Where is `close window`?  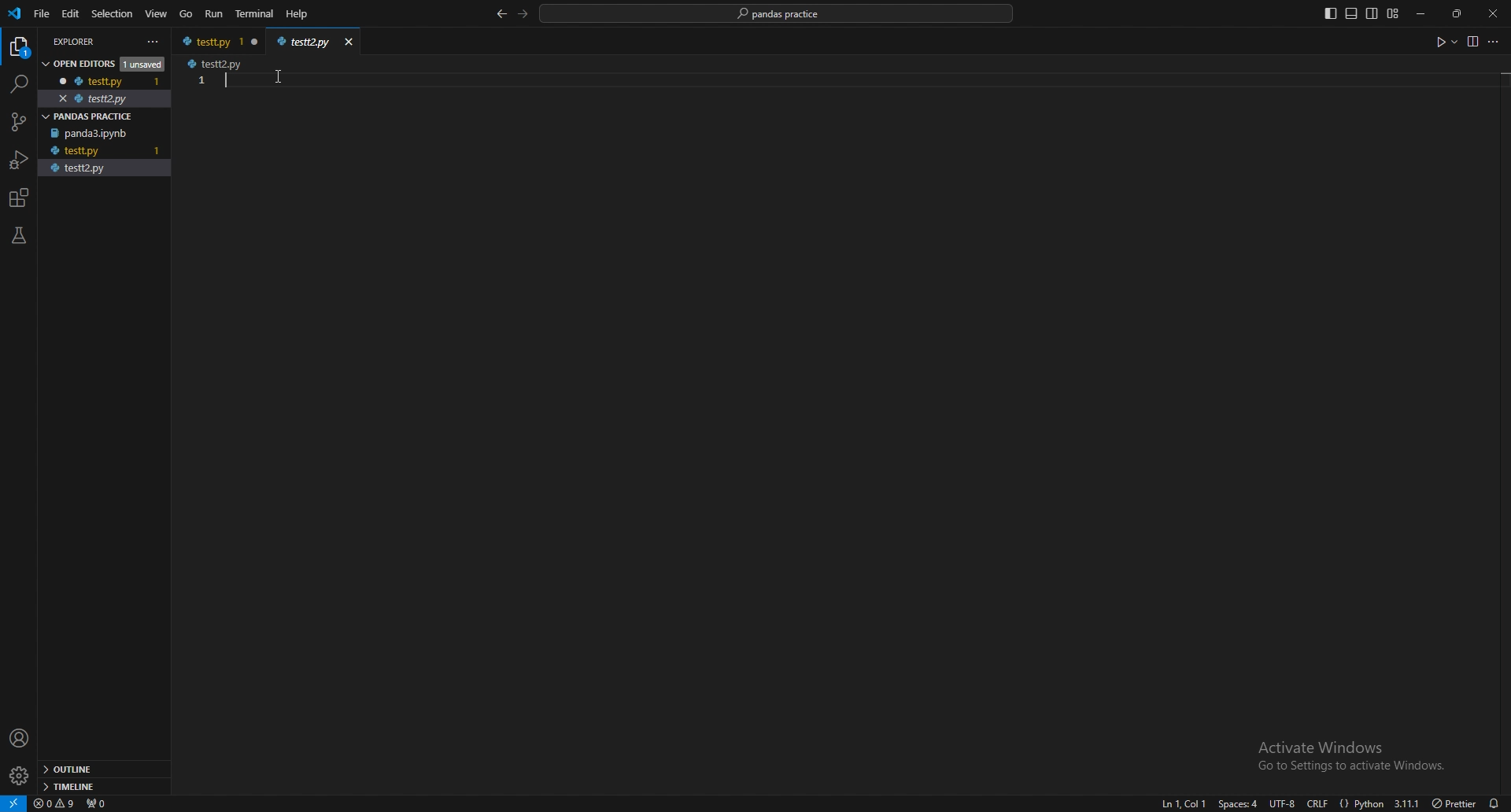
close window is located at coordinates (256, 41).